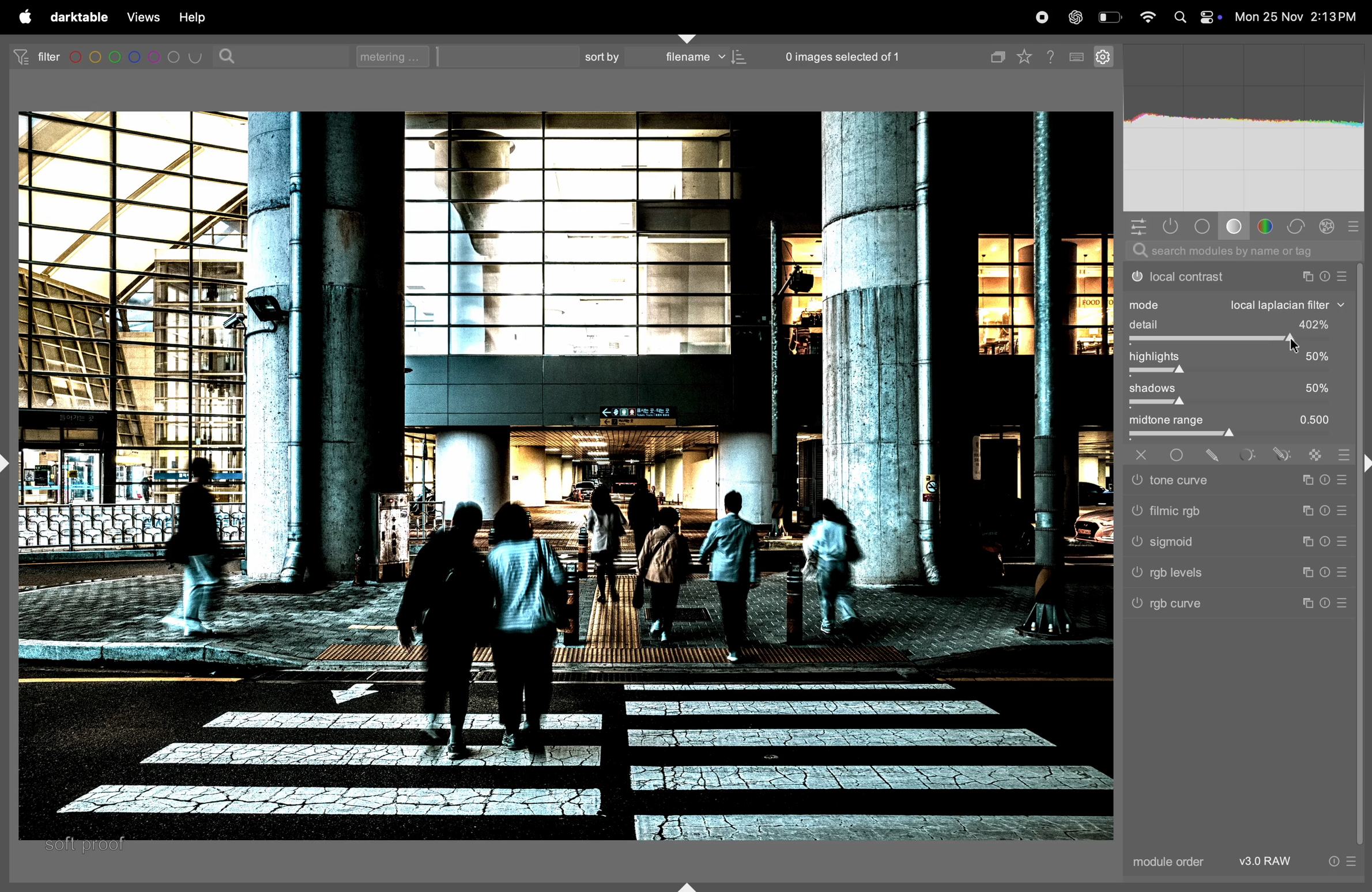 The width and height of the screenshot is (1372, 892). I want to click on mode, so click(1238, 305).